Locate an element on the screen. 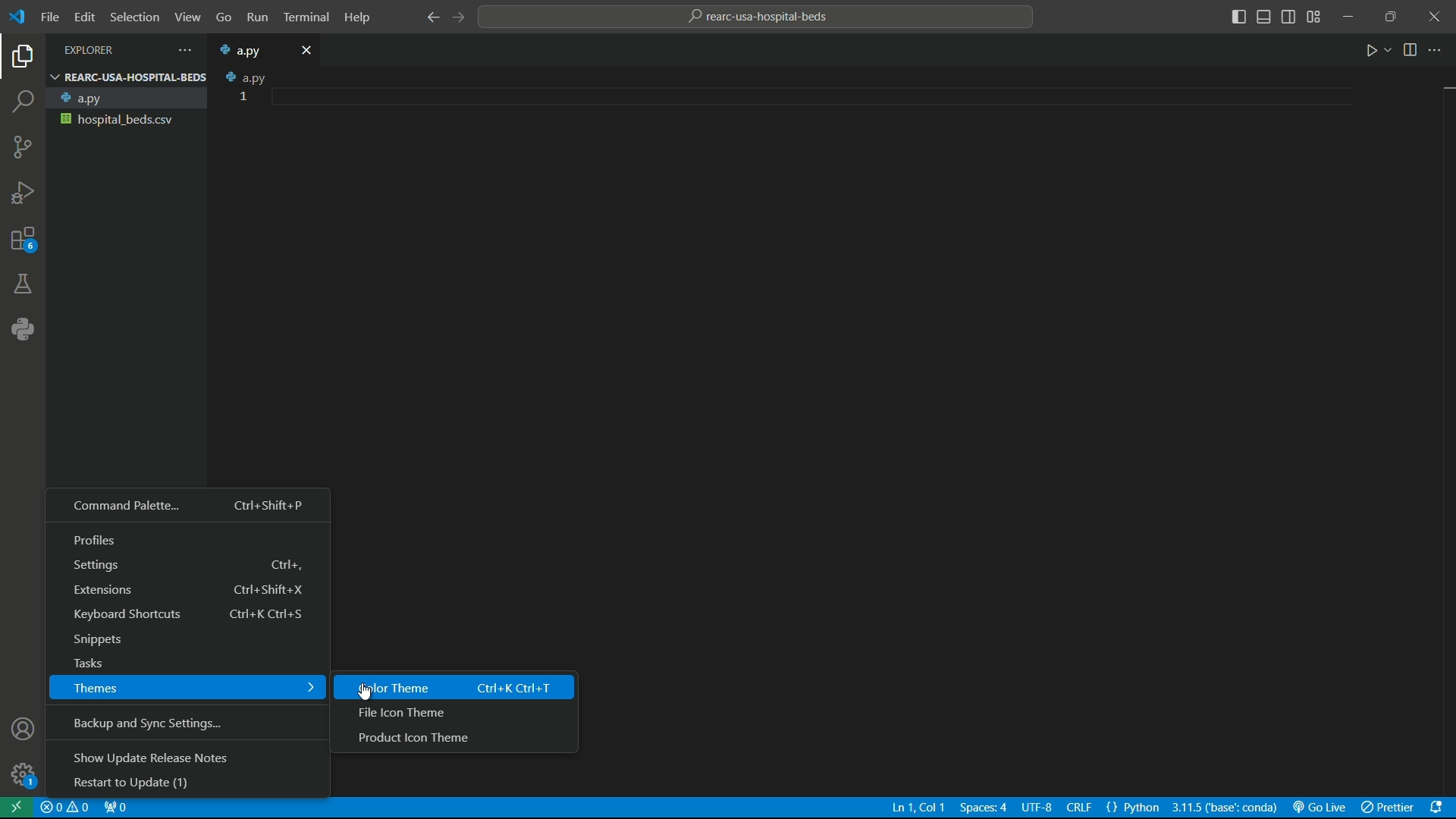  color theme is located at coordinates (455, 687).